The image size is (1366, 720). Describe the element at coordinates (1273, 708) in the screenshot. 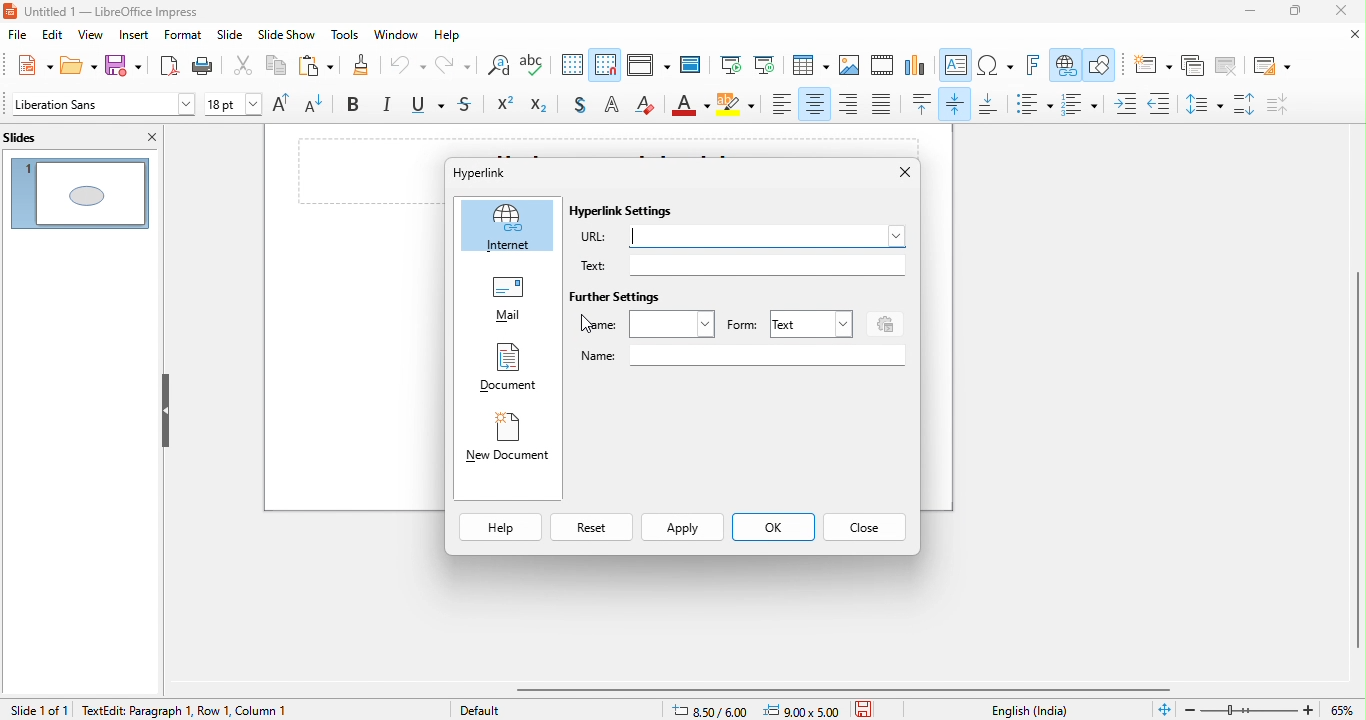

I see `zoom` at that location.